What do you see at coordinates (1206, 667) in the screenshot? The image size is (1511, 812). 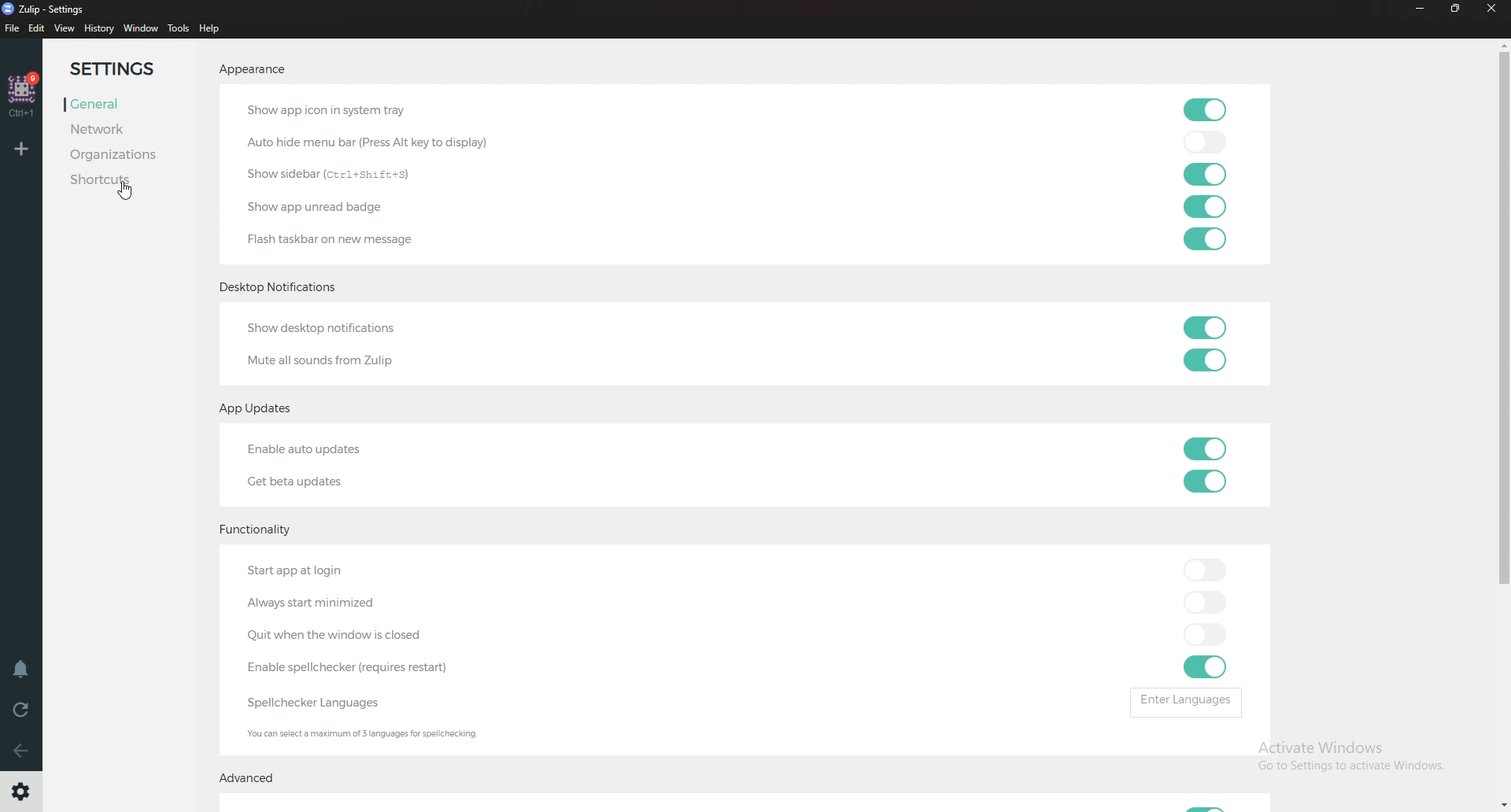 I see `toggle` at bounding box center [1206, 667].